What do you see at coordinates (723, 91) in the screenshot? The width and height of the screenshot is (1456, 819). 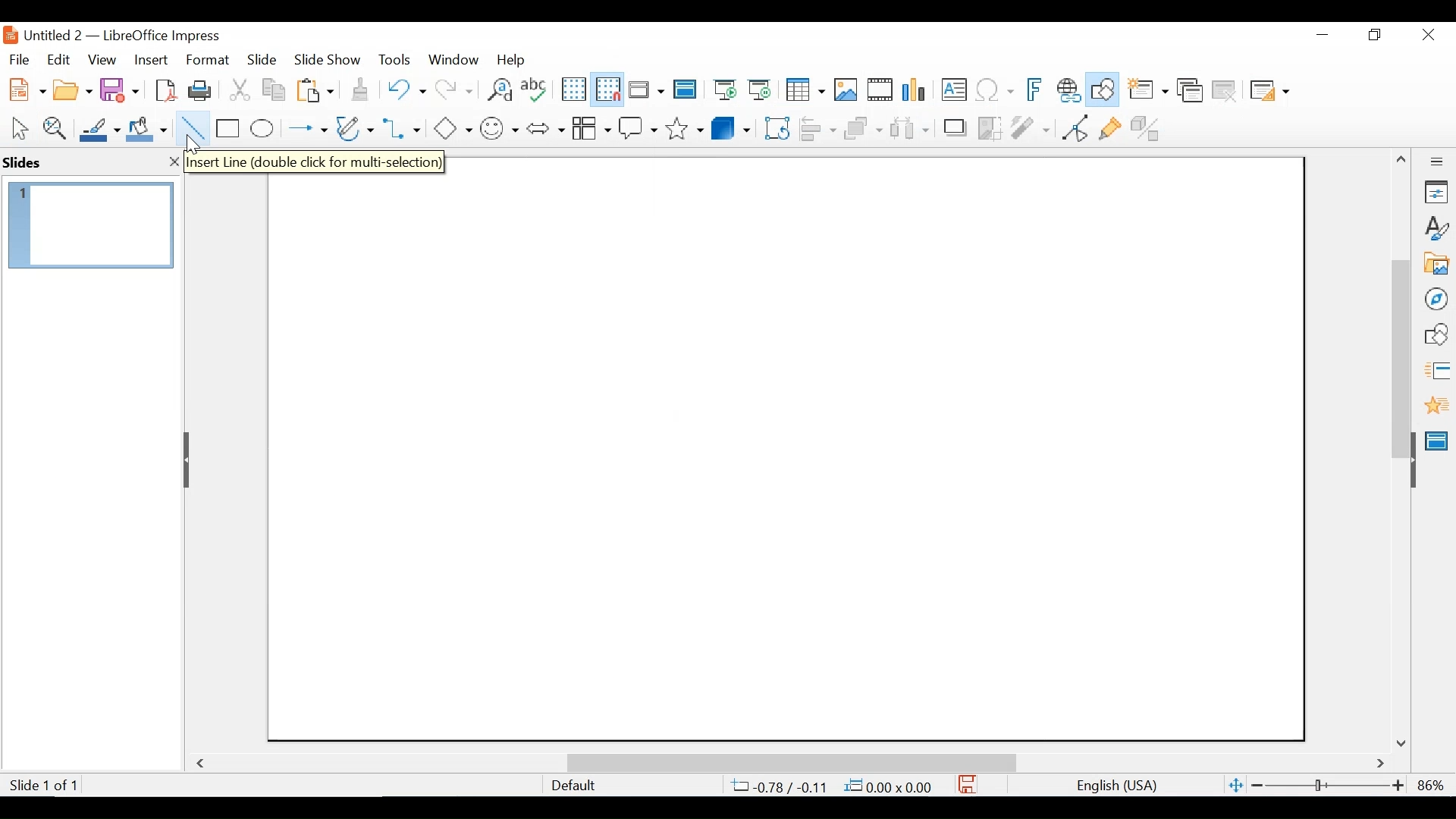 I see `Start from First Slide` at bounding box center [723, 91].